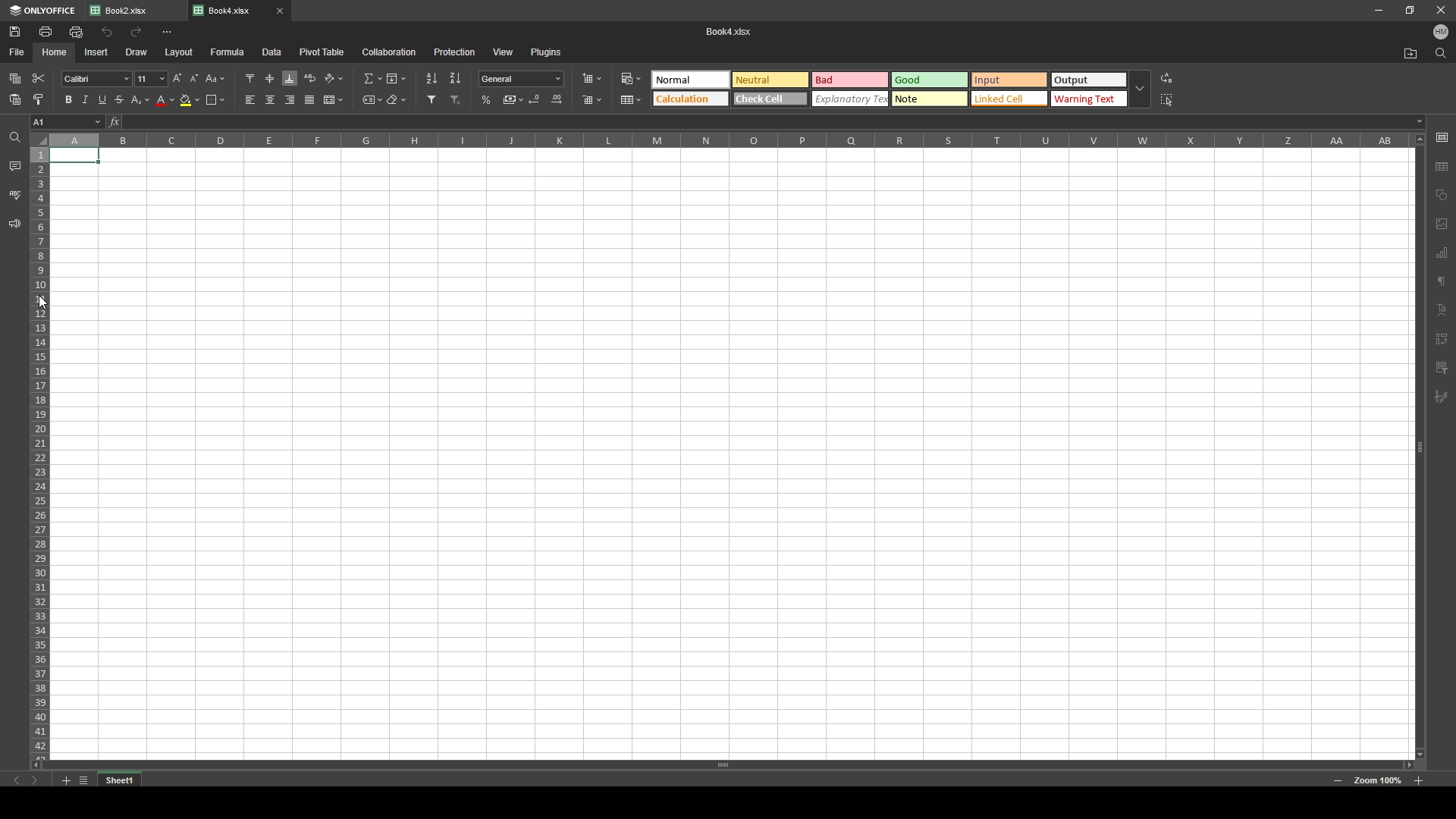 The width and height of the screenshot is (1456, 819). Describe the element at coordinates (138, 52) in the screenshot. I see `draw` at that location.